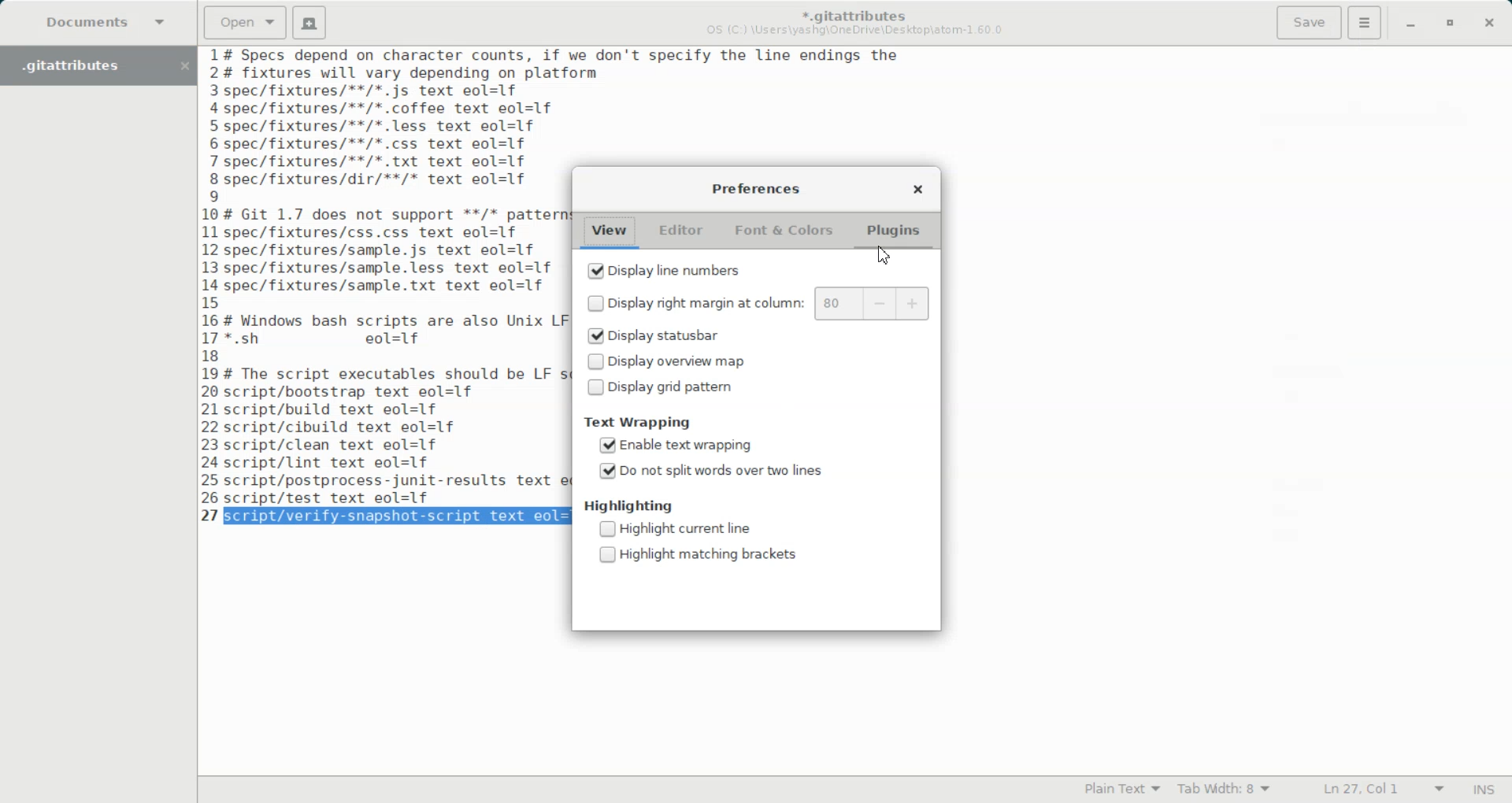  I want to click on Display grid pattern, so click(690, 388).